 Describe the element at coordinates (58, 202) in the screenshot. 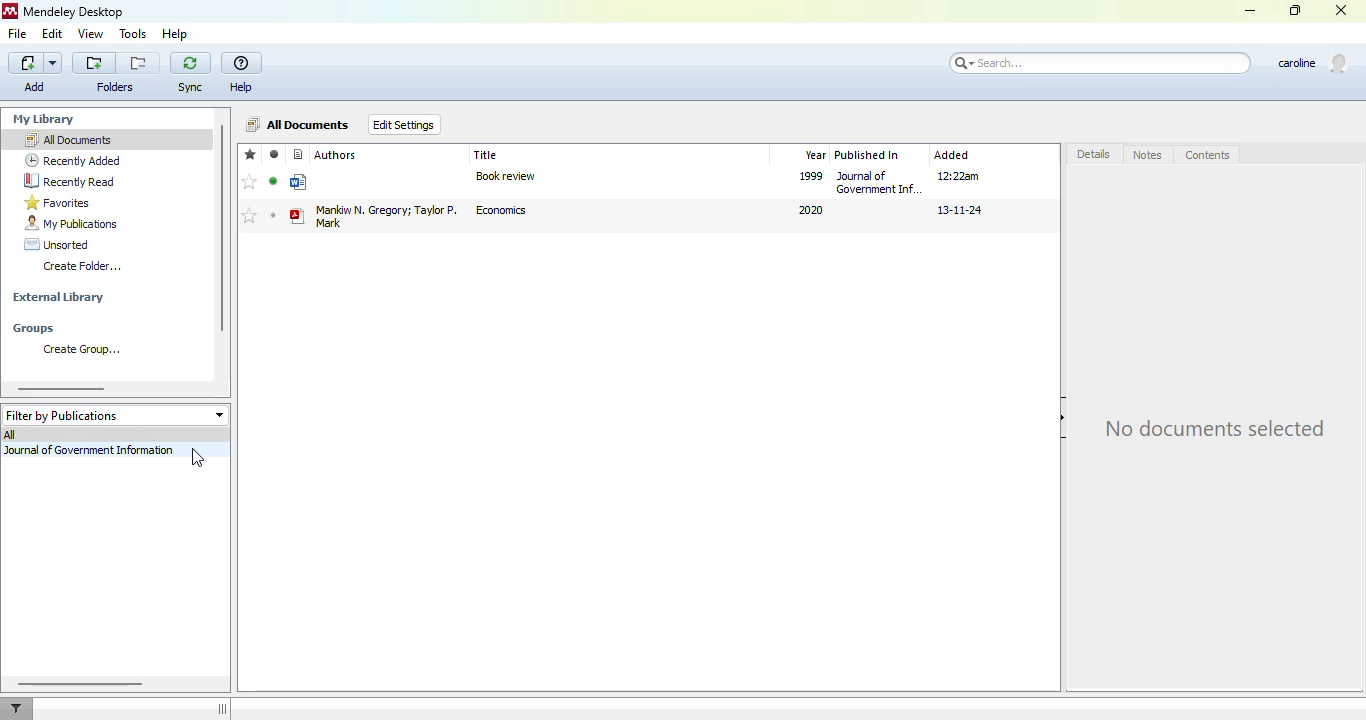

I see `favorites` at that location.